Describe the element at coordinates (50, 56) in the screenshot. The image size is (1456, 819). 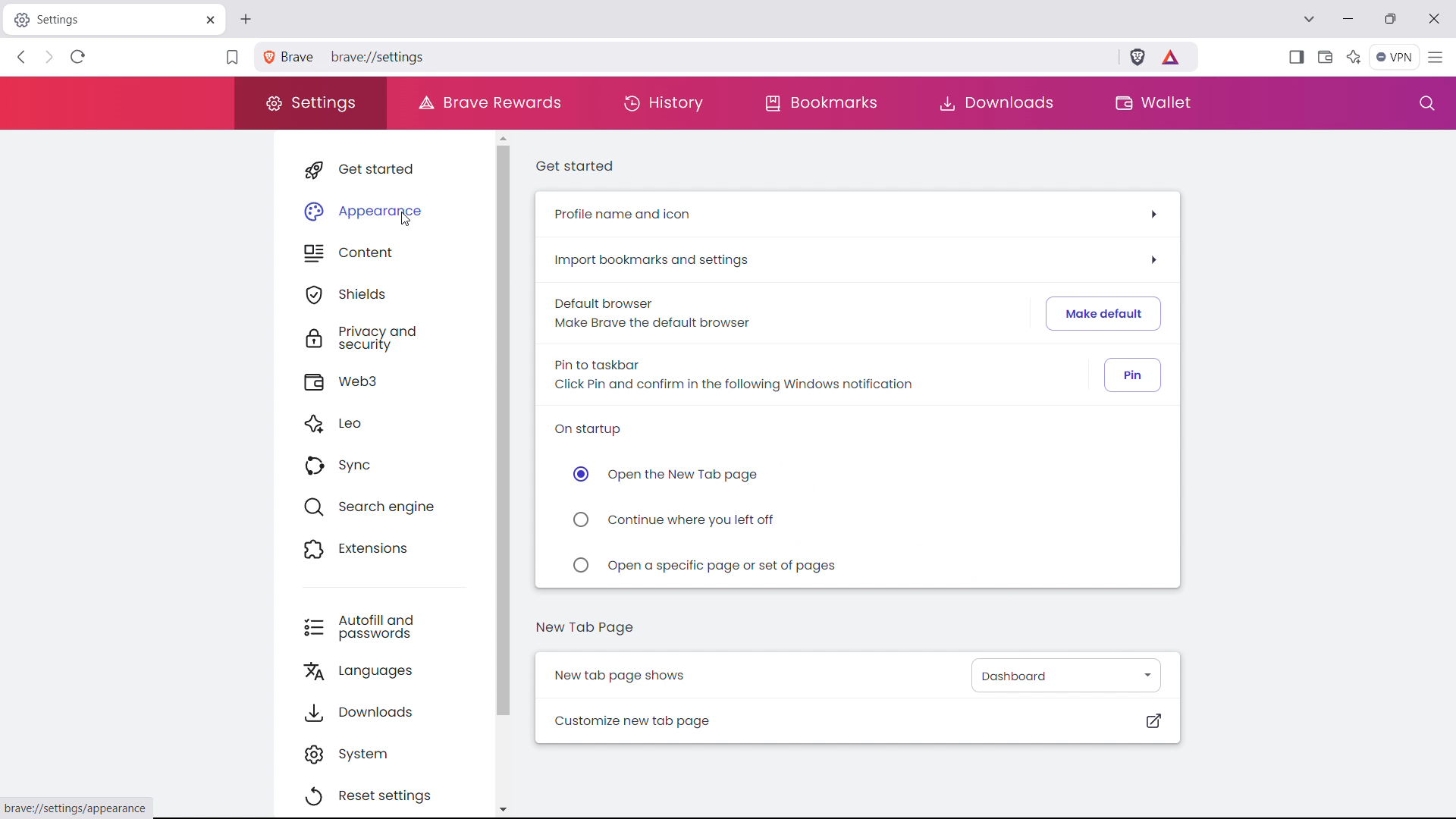
I see `click to go forward, hold to see history` at that location.